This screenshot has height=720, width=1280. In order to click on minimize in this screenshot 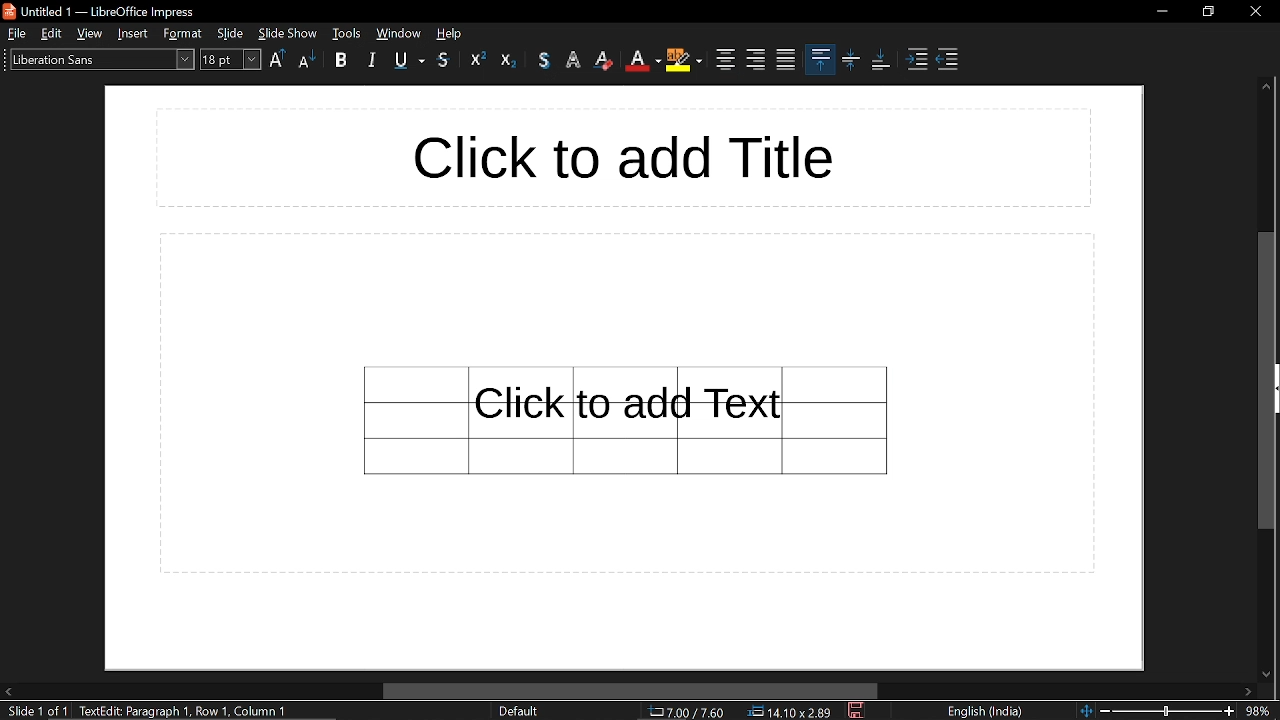, I will do `click(1162, 11)`.